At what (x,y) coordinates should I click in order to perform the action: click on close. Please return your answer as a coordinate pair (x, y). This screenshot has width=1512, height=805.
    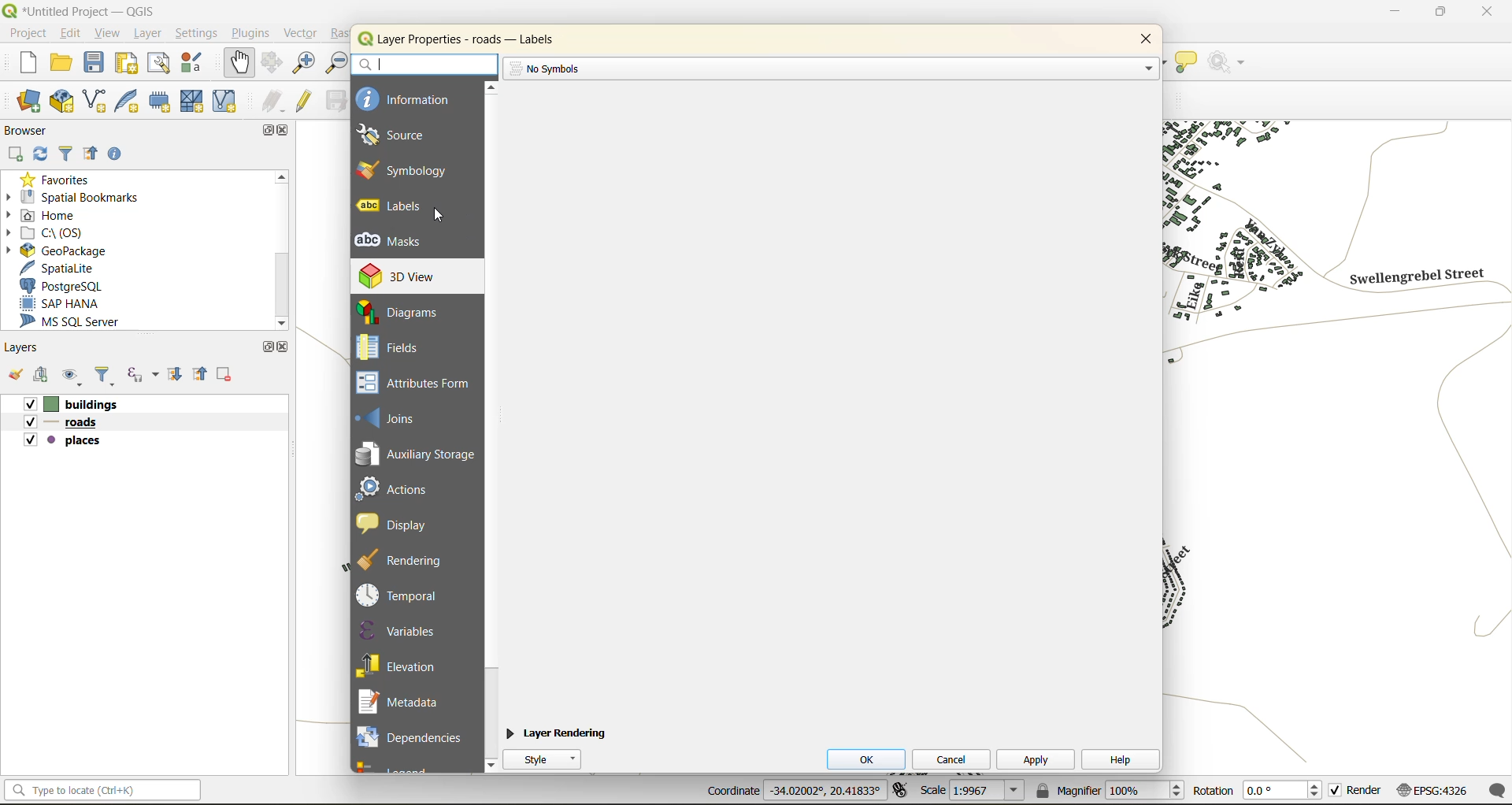
    Looking at the image, I should click on (1483, 13).